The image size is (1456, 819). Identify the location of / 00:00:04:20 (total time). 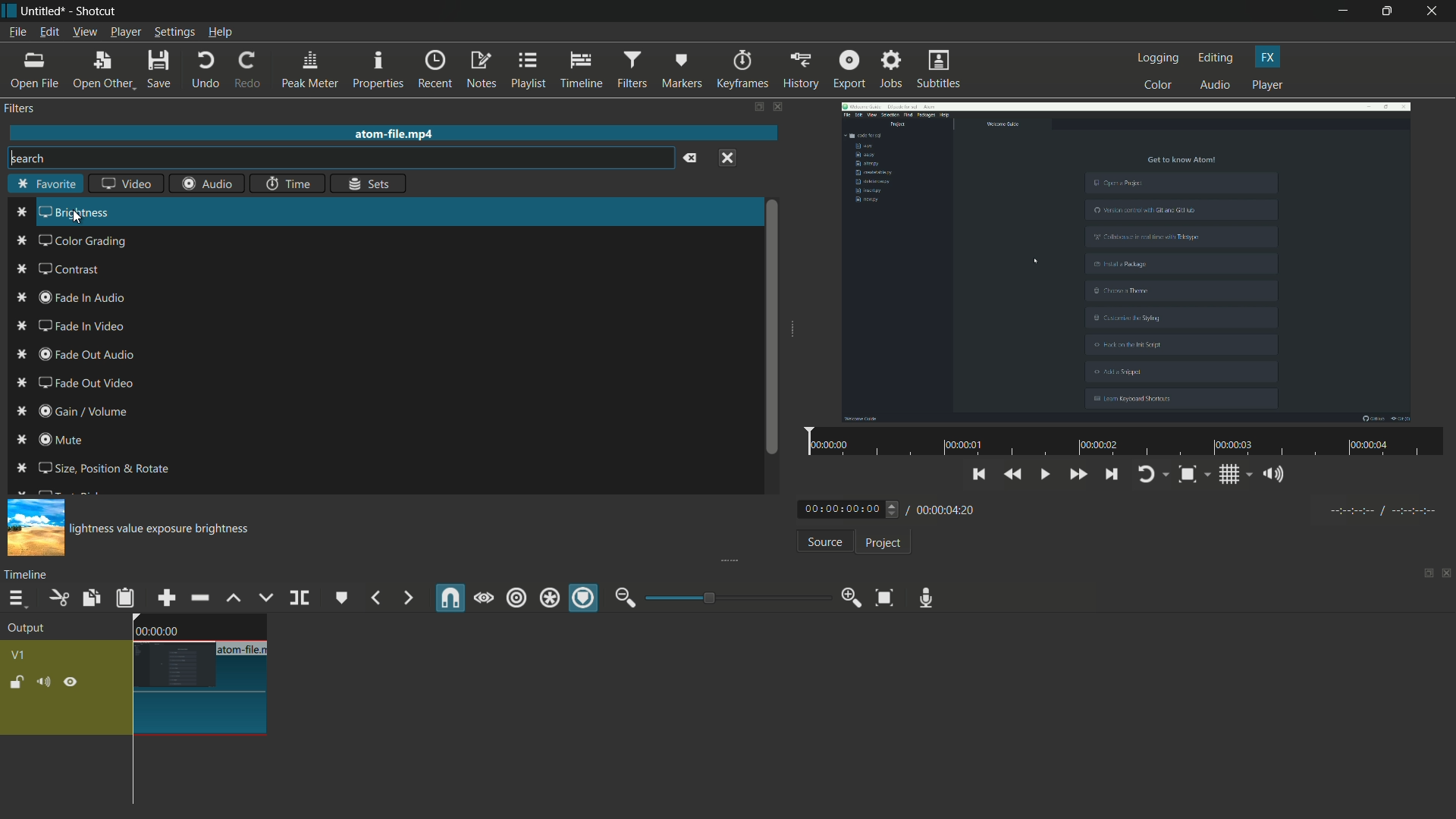
(943, 507).